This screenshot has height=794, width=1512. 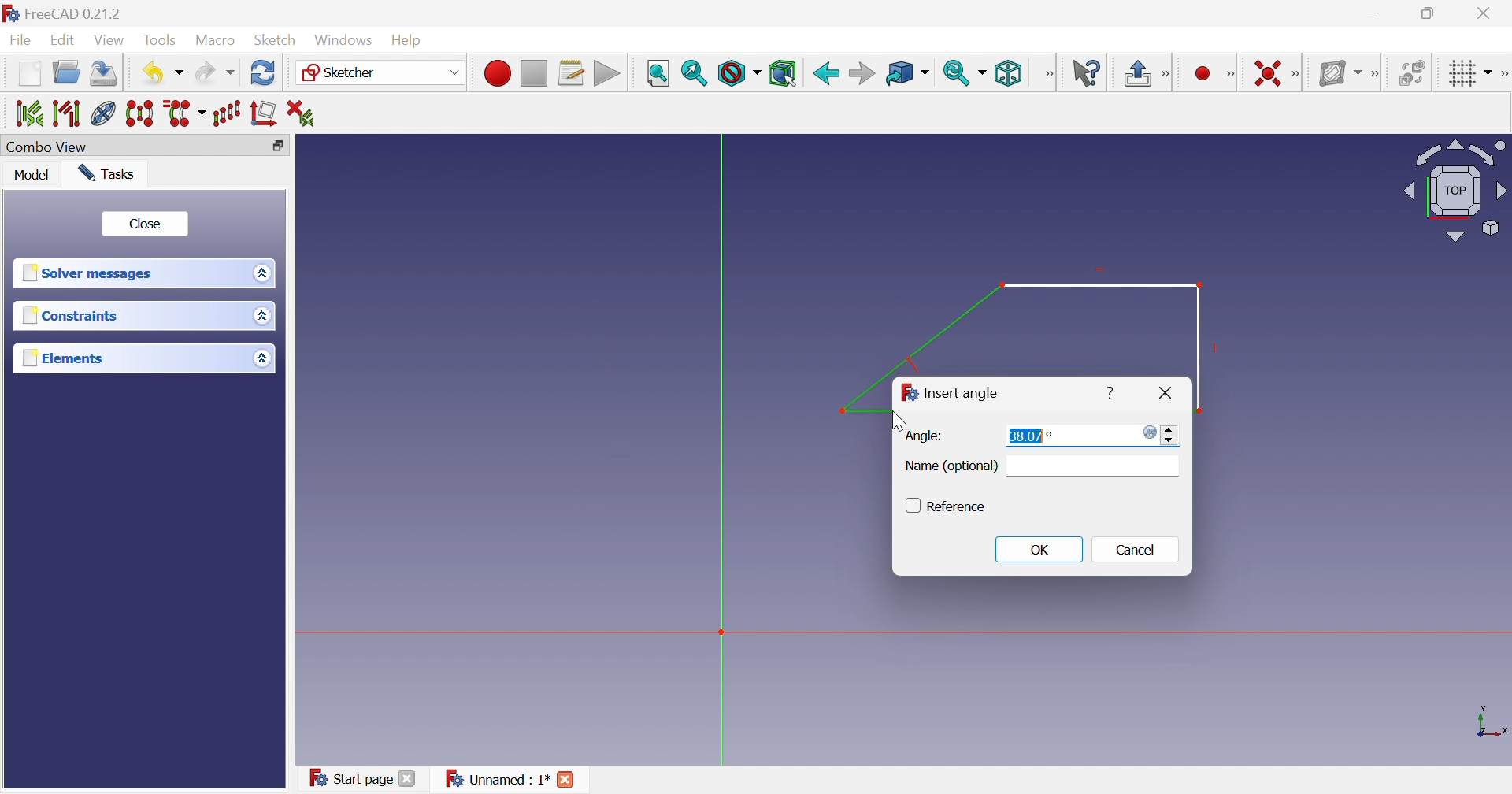 I want to click on Increase, so click(x=1170, y=429).